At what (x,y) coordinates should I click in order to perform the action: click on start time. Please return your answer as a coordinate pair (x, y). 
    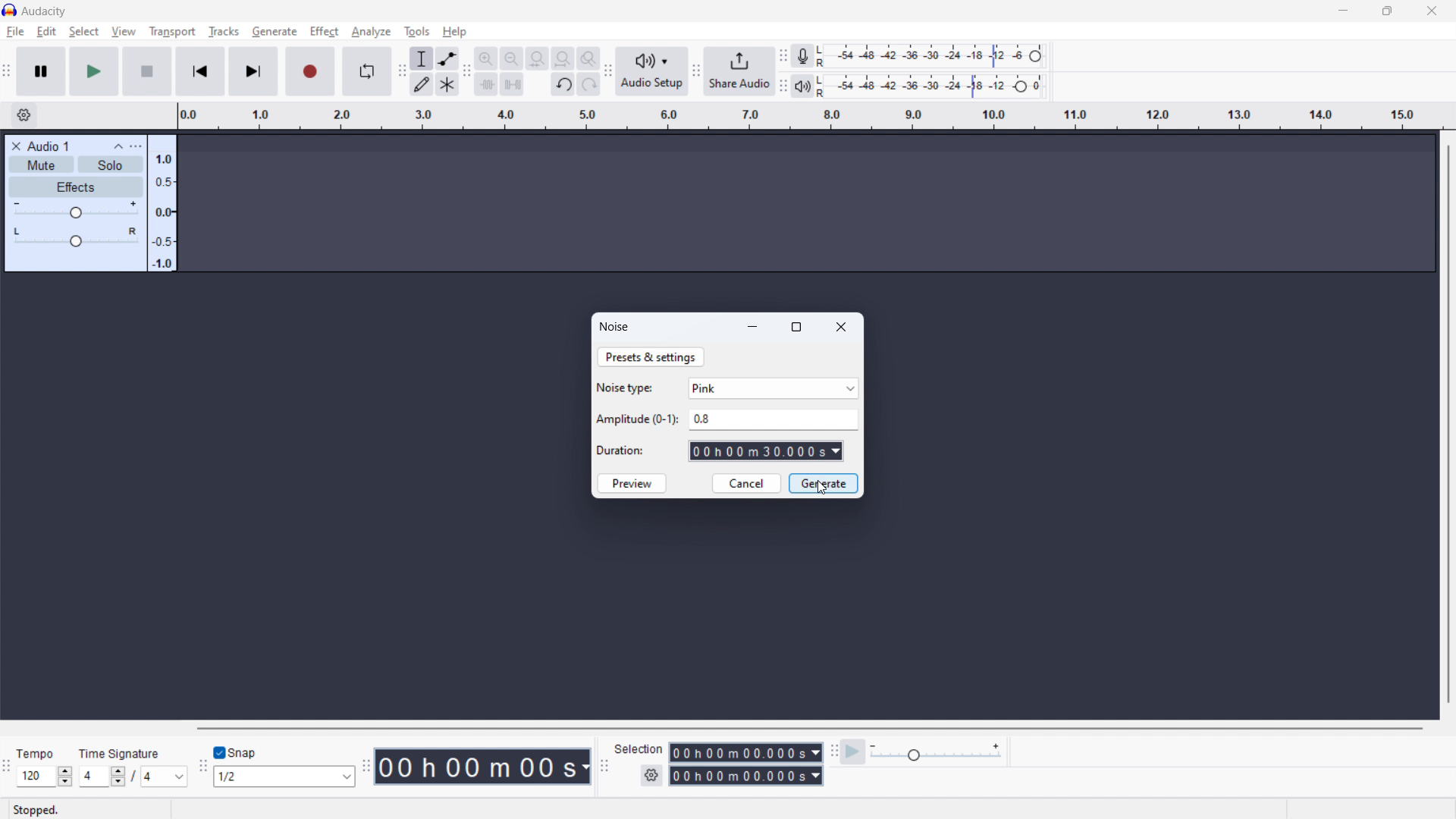
    Looking at the image, I should click on (746, 752).